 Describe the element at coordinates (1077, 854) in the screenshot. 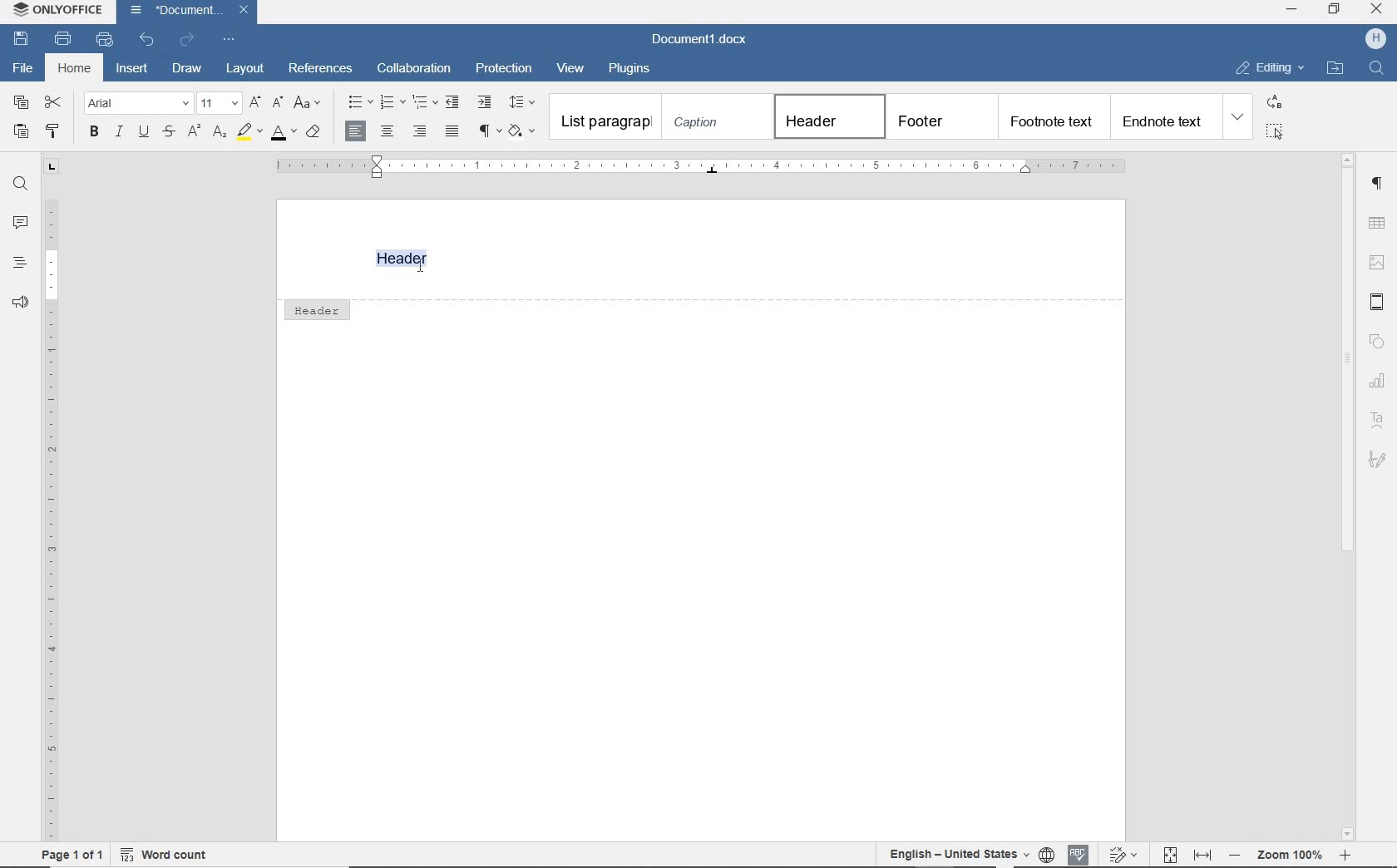

I see `spellchecking` at that location.